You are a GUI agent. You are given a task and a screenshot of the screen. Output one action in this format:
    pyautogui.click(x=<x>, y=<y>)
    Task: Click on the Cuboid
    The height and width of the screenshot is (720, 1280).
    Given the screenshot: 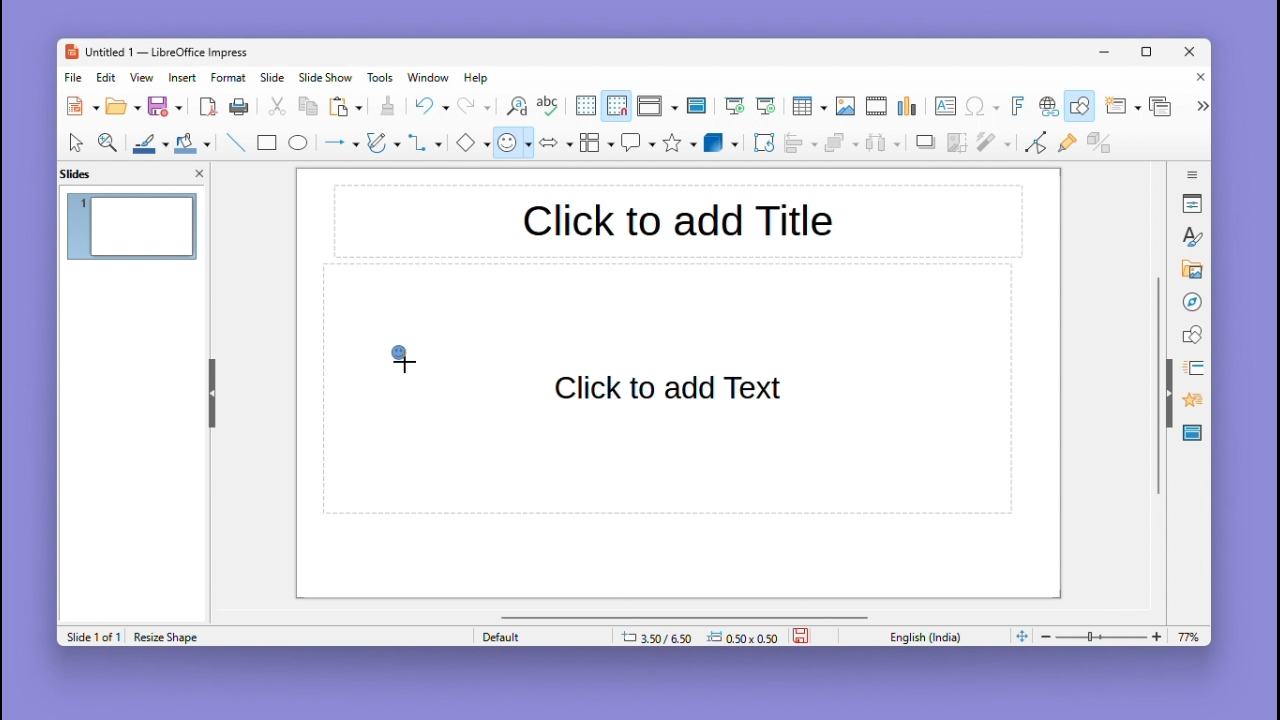 What is the action you would take?
    pyautogui.click(x=721, y=144)
    